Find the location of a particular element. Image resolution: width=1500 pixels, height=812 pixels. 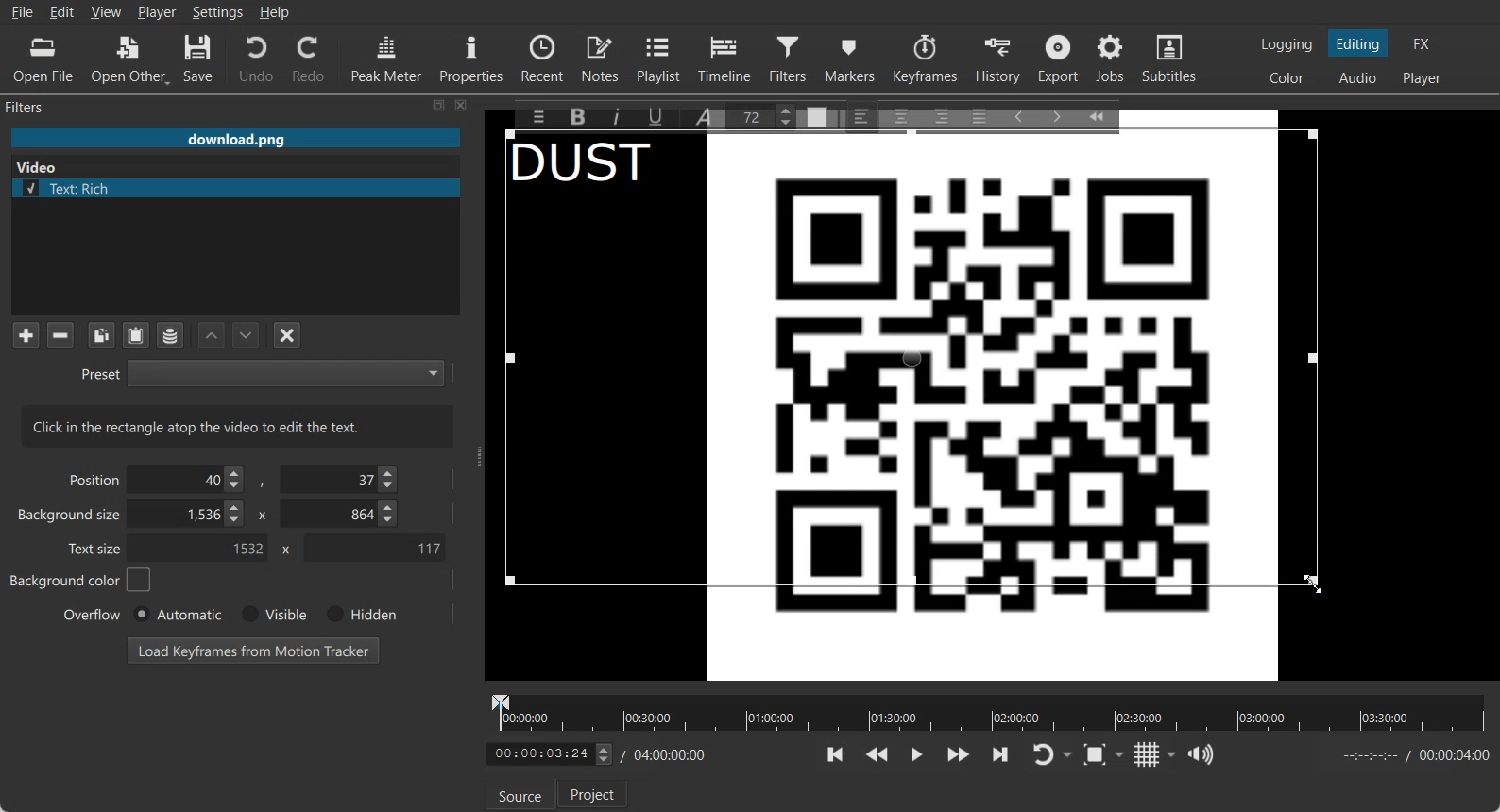

Left is located at coordinates (862, 115).